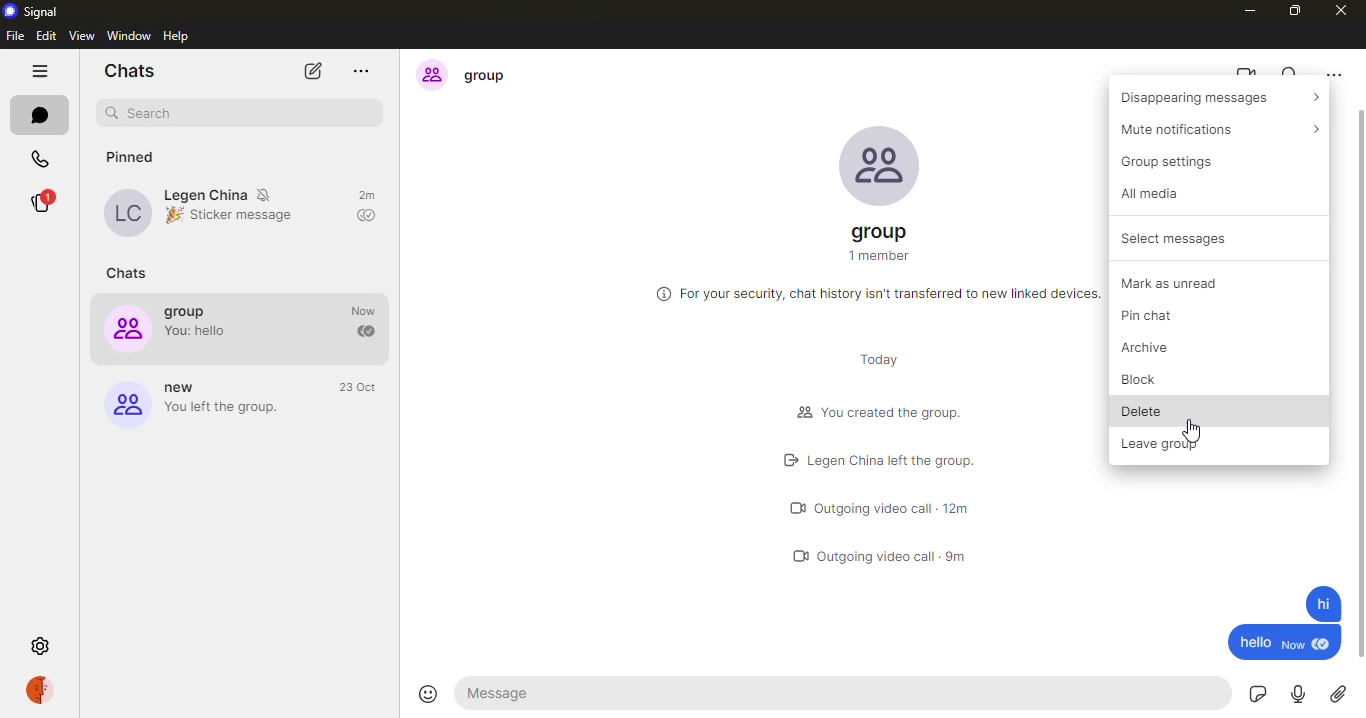 The width and height of the screenshot is (1366, 718). What do you see at coordinates (155, 111) in the screenshot?
I see `search` at bounding box center [155, 111].